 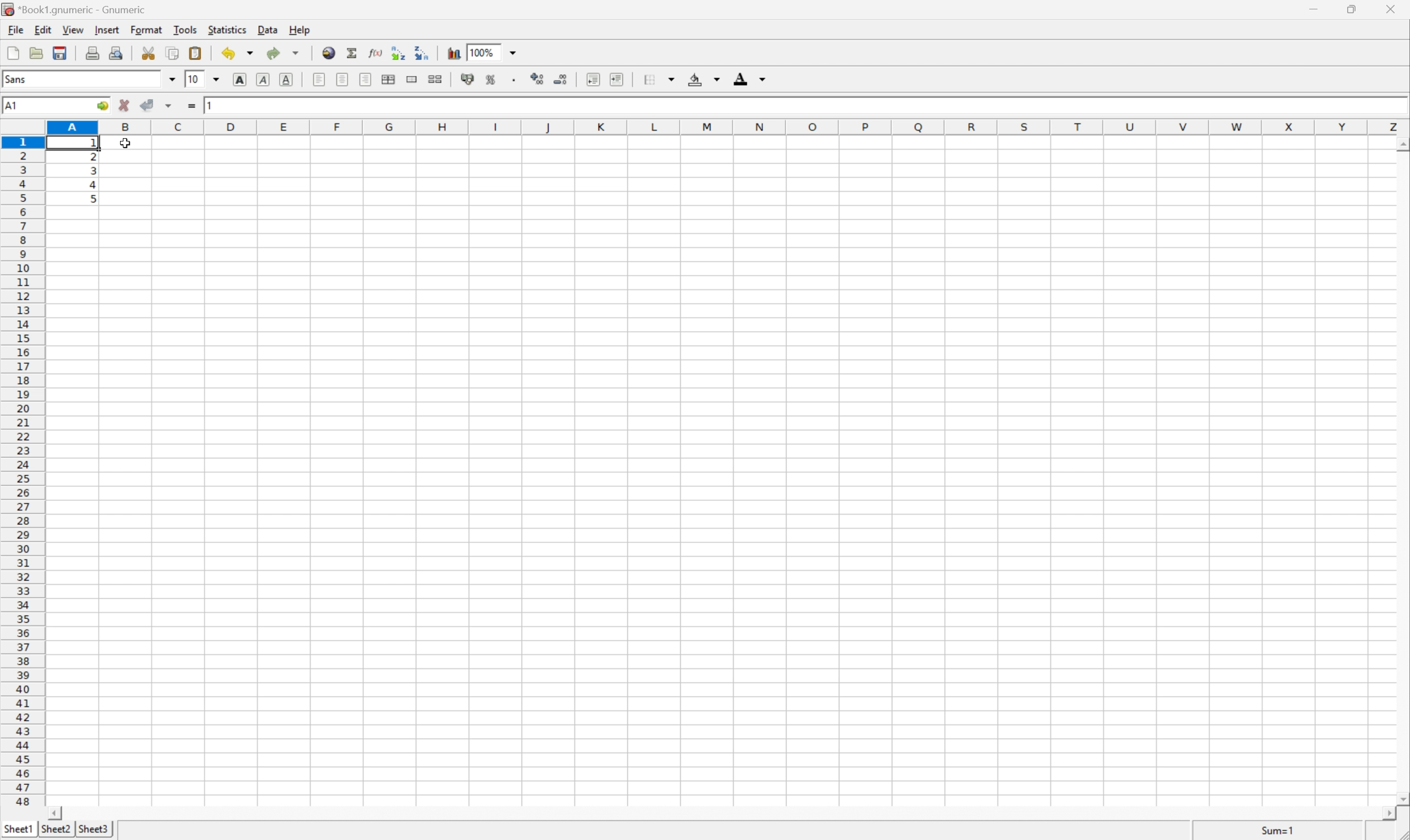 I want to click on Decrease indent, and align the contents to the left, so click(x=593, y=77).